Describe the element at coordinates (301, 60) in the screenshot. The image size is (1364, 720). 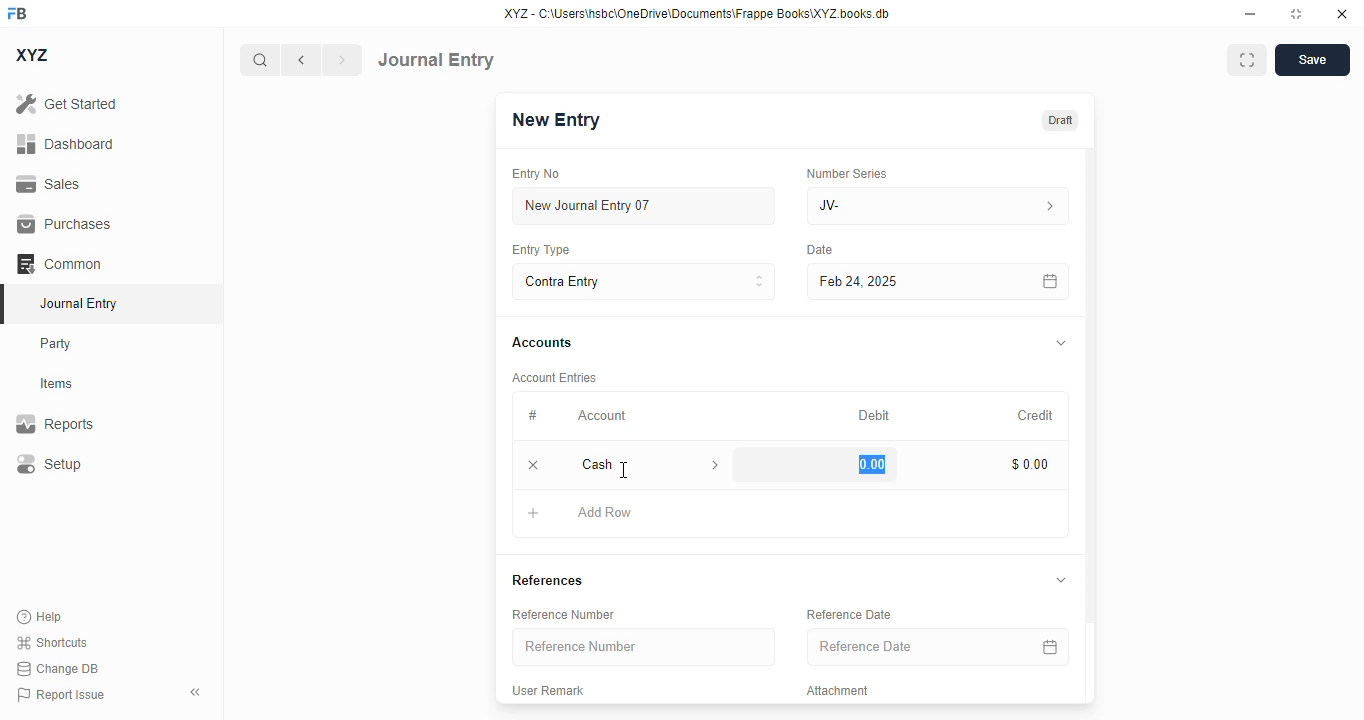
I see `previous` at that location.